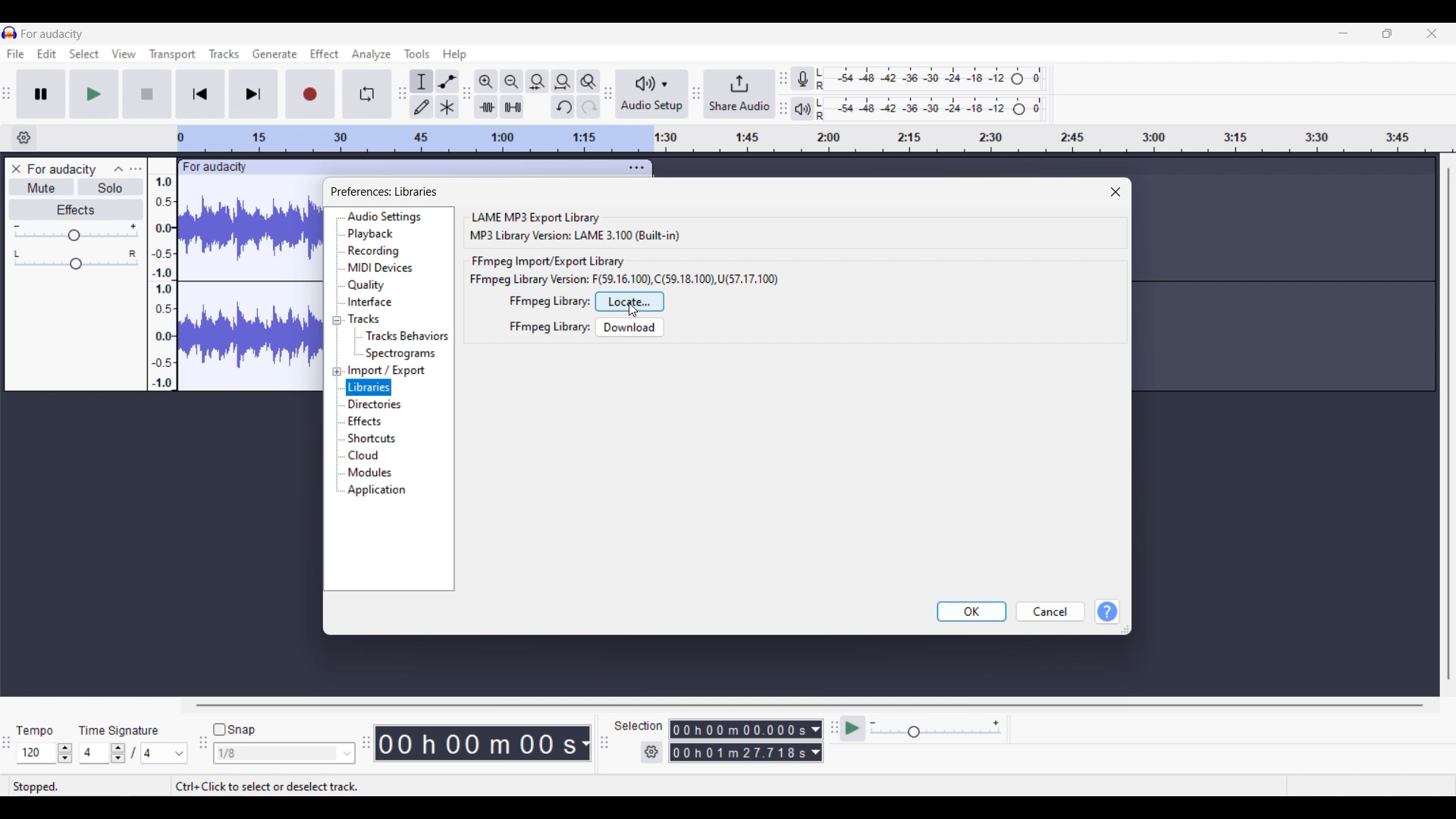 The width and height of the screenshot is (1456, 819). I want to click on Snap, so click(234, 729).